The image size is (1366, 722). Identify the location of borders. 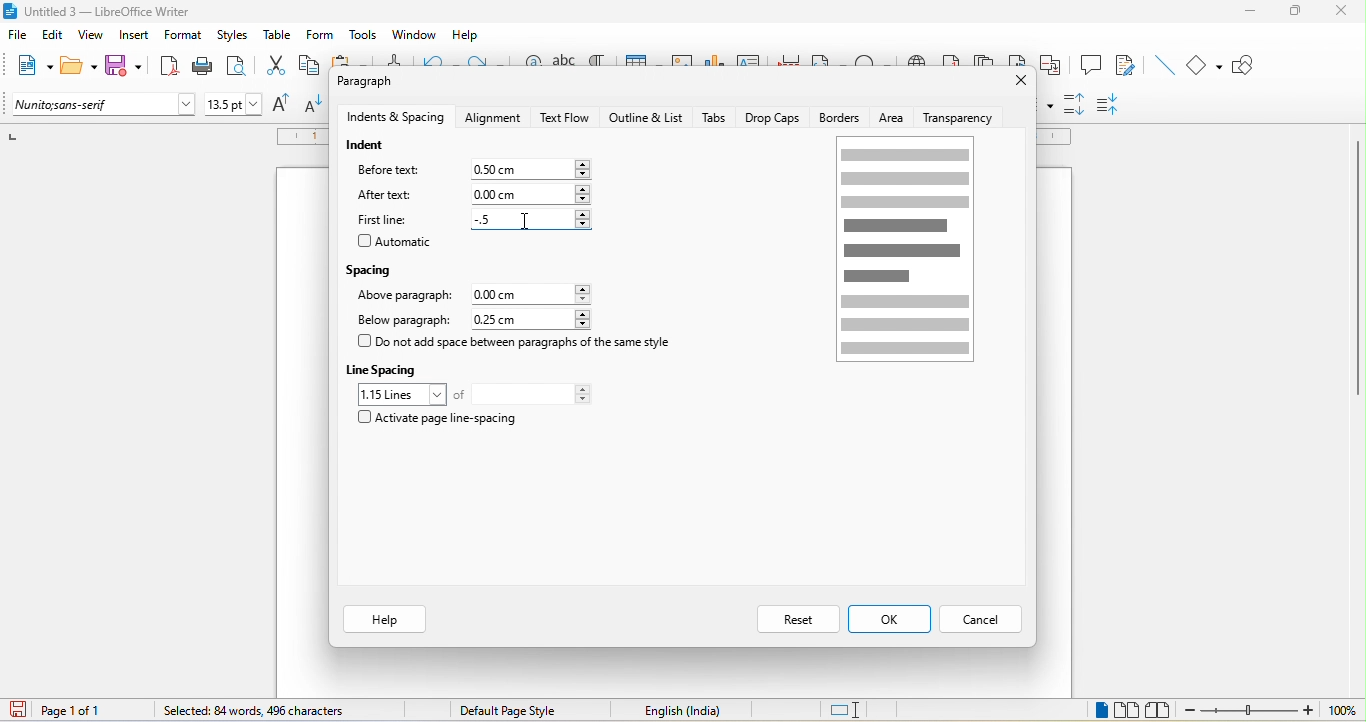
(838, 118).